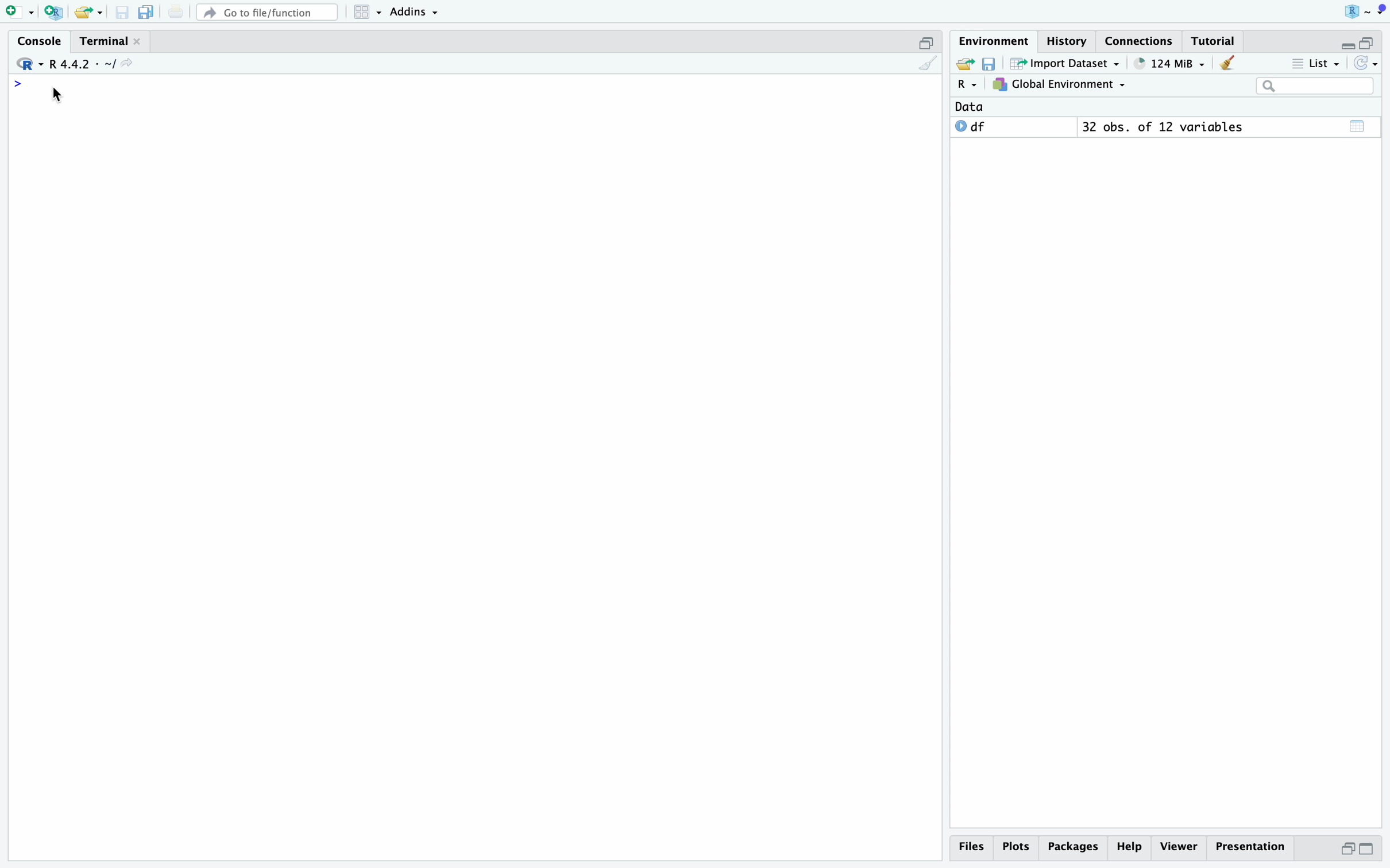  I want to click on close, so click(137, 41).